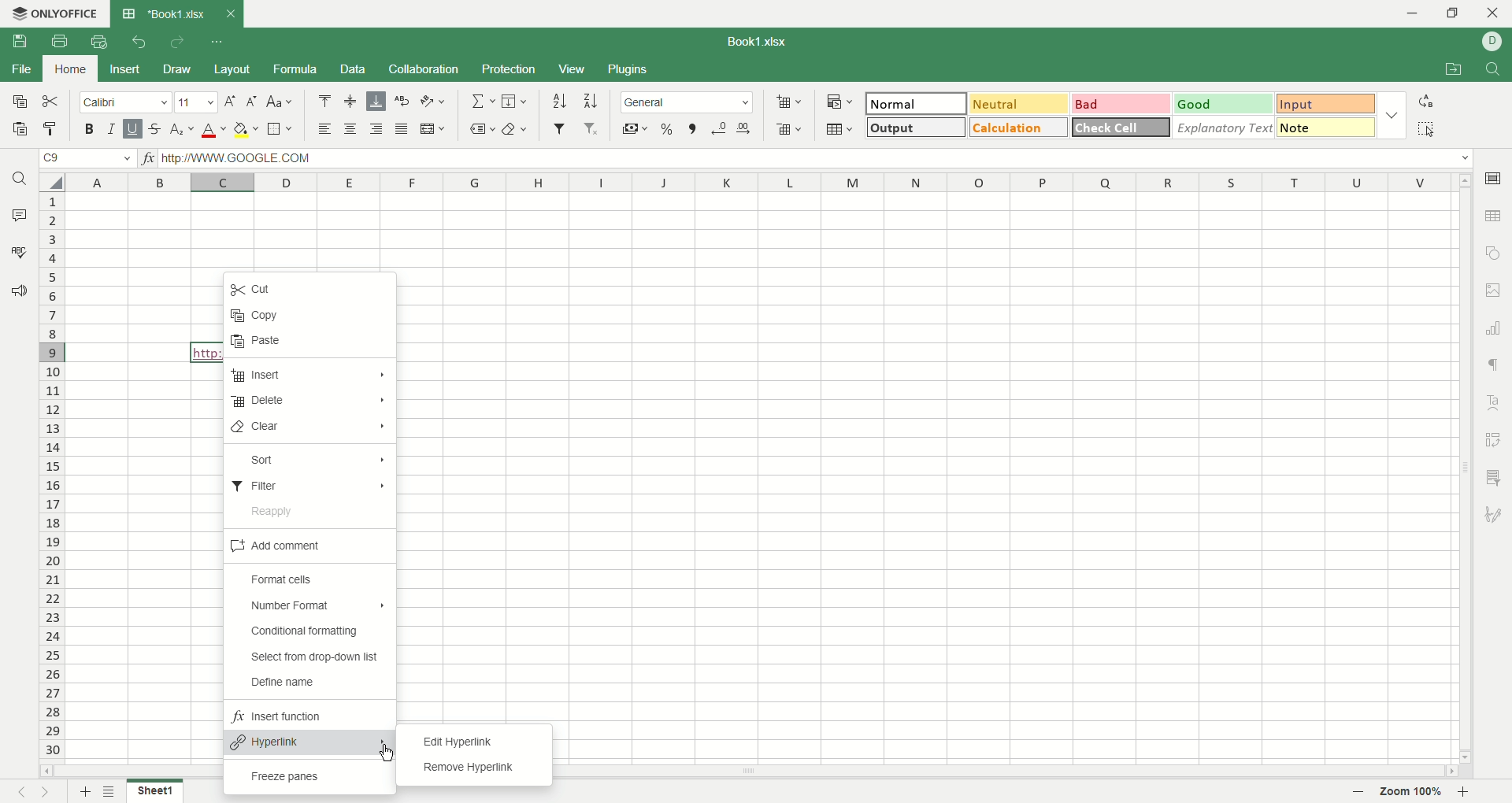 Image resolution: width=1512 pixels, height=803 pixels. What do you see at coordinates (764, 182) in the screenshot?
I see `column name` at bounding box center [764, 182].